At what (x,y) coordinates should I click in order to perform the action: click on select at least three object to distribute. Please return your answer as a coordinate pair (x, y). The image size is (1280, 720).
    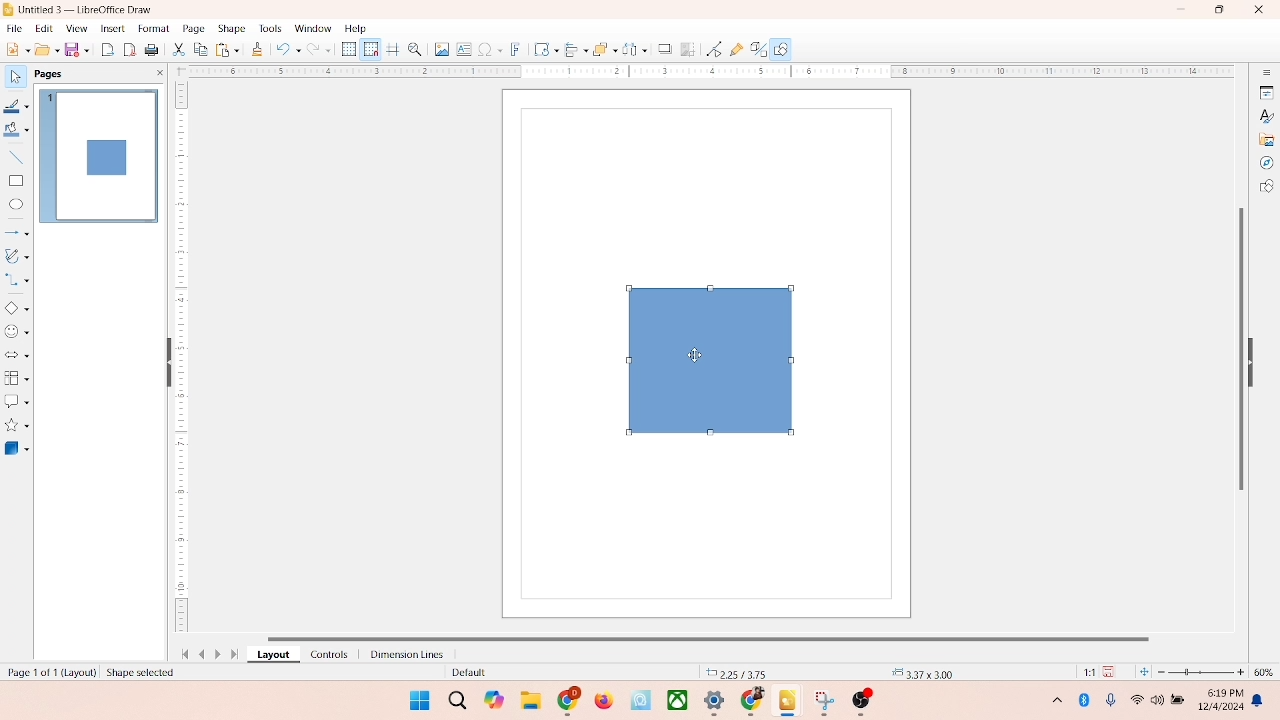
    Looking at the image, I should click on (630, 50).